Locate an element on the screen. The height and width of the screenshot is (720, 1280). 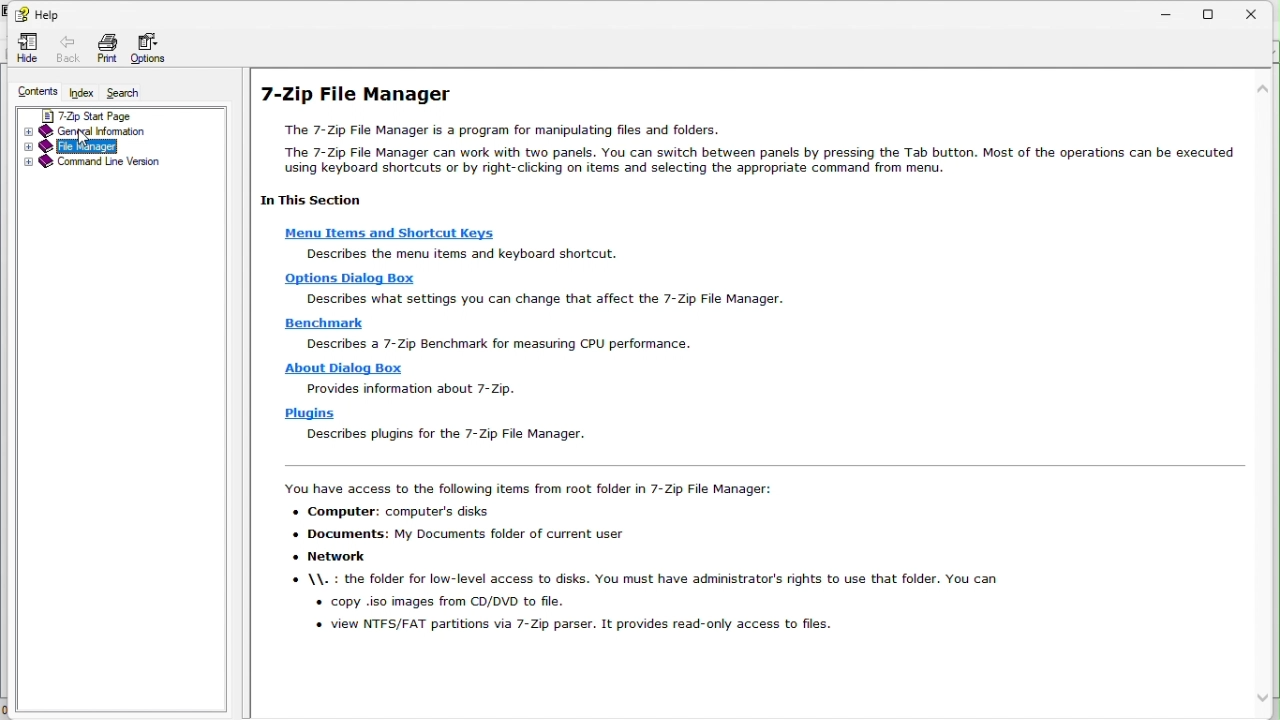
menu items and shortcut keys is located at coordinates (391, 235).